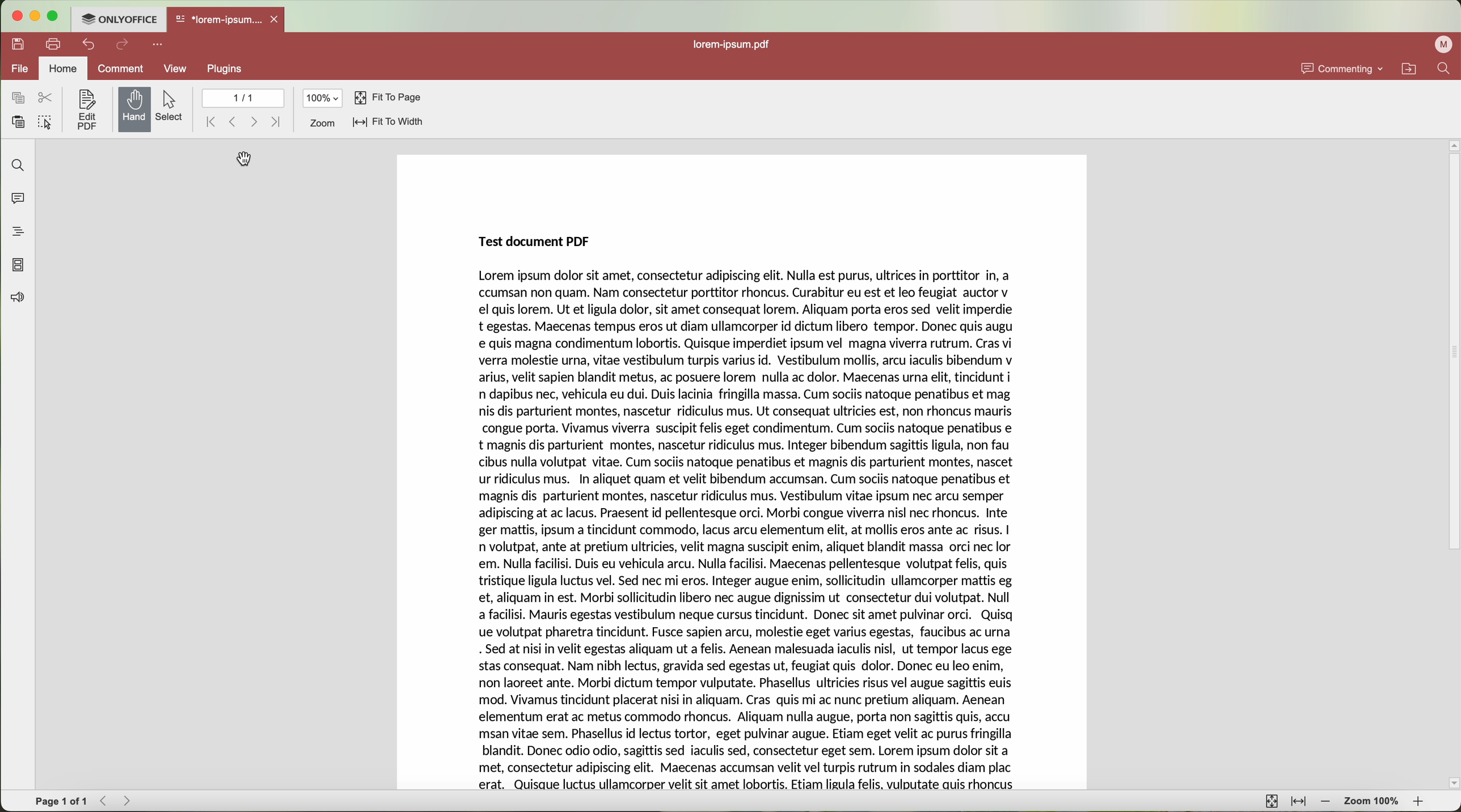 The width and height of the screenshot is (1461, 812). I want to click on Backward, so click(105, 801).